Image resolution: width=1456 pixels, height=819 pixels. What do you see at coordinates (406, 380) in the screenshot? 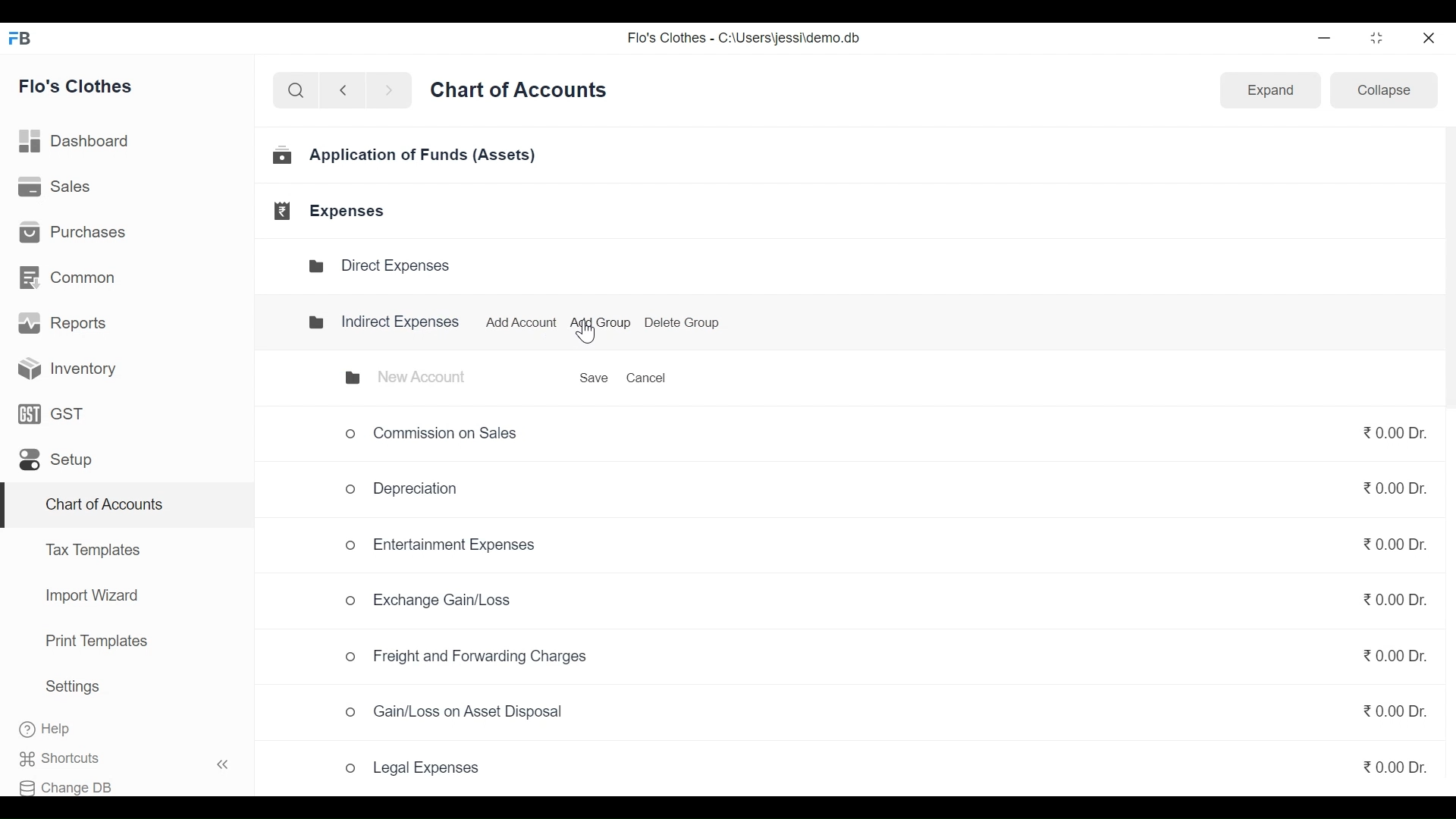
I see `New Account` at bounding box center [406, 380].